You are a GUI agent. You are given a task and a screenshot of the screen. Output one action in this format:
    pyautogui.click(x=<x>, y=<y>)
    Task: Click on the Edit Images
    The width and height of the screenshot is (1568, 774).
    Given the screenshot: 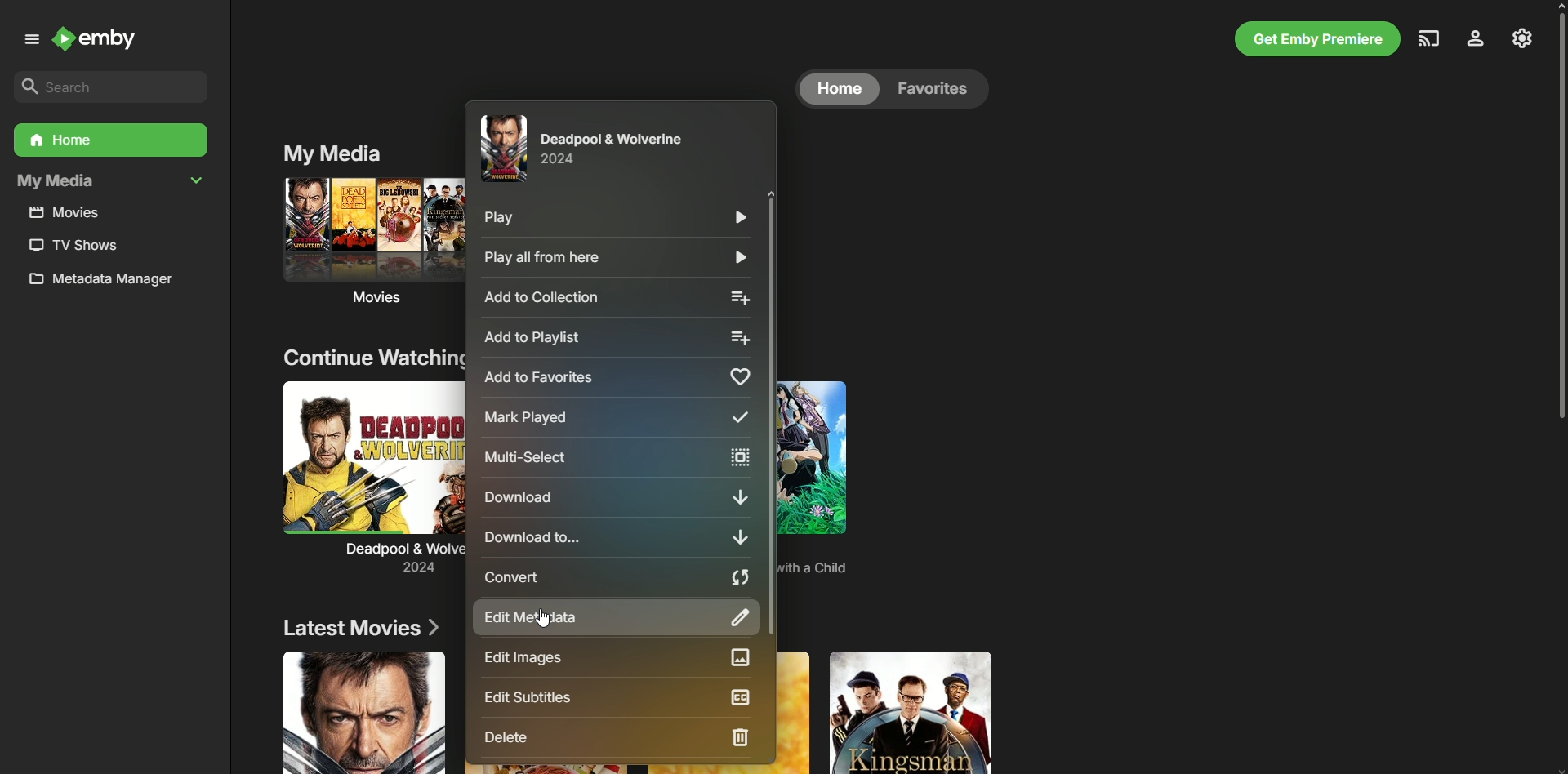 What is the action you would take?
    pyautogui.click(x=615, y=658)
    